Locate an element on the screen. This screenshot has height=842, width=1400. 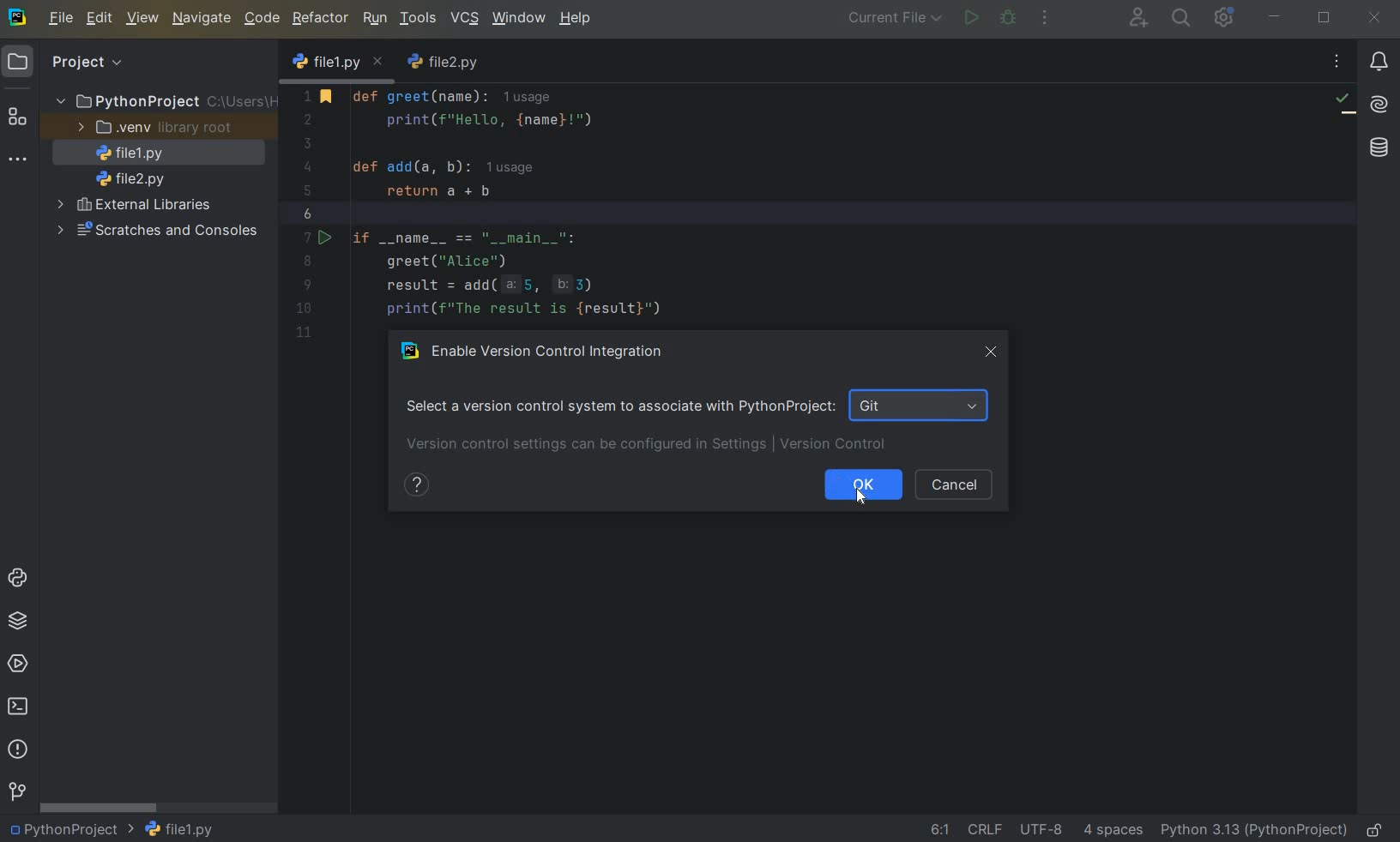
line separator is located at coordinates (986, 827).